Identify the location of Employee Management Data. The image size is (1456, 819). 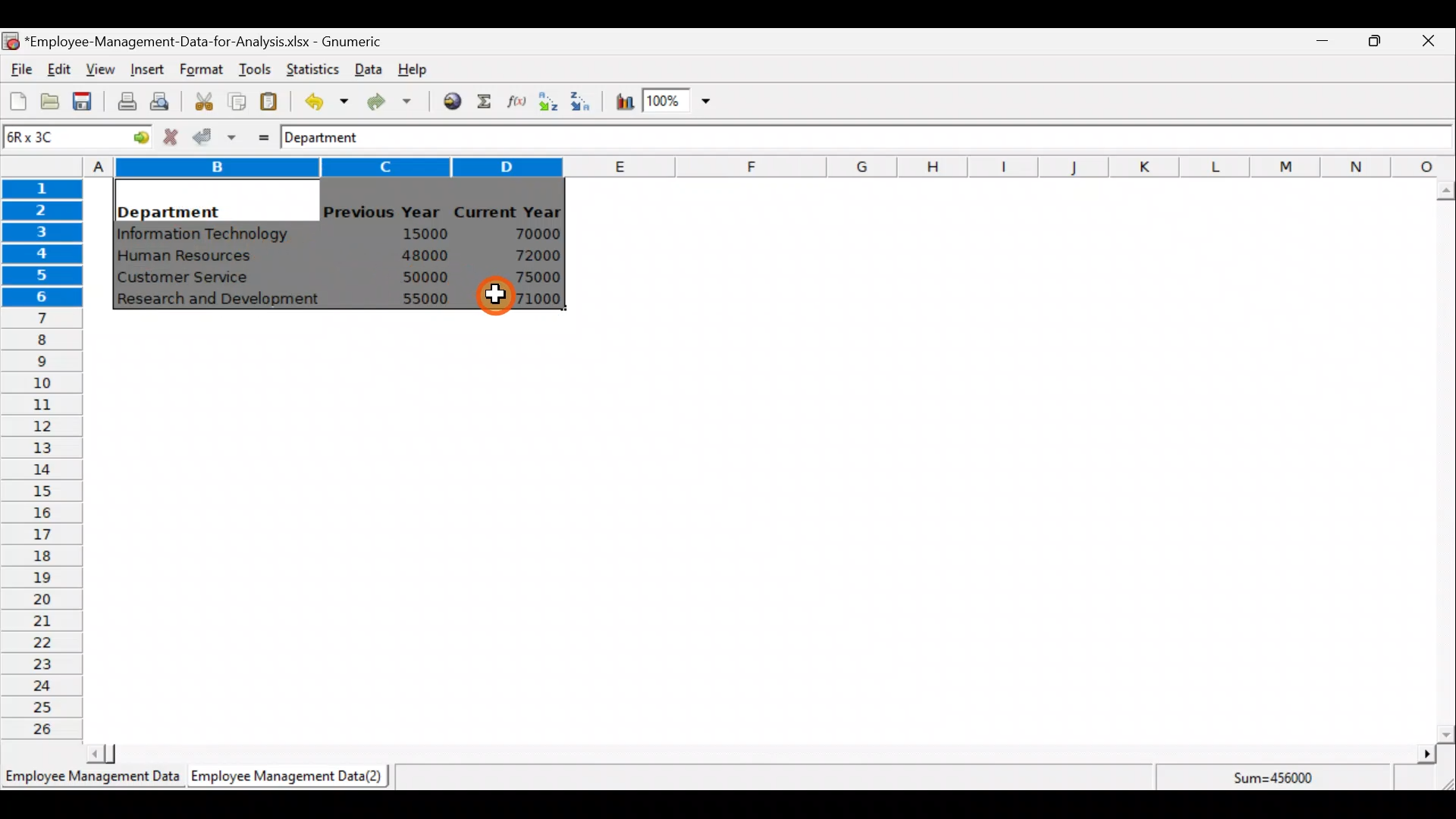
(91, 781).